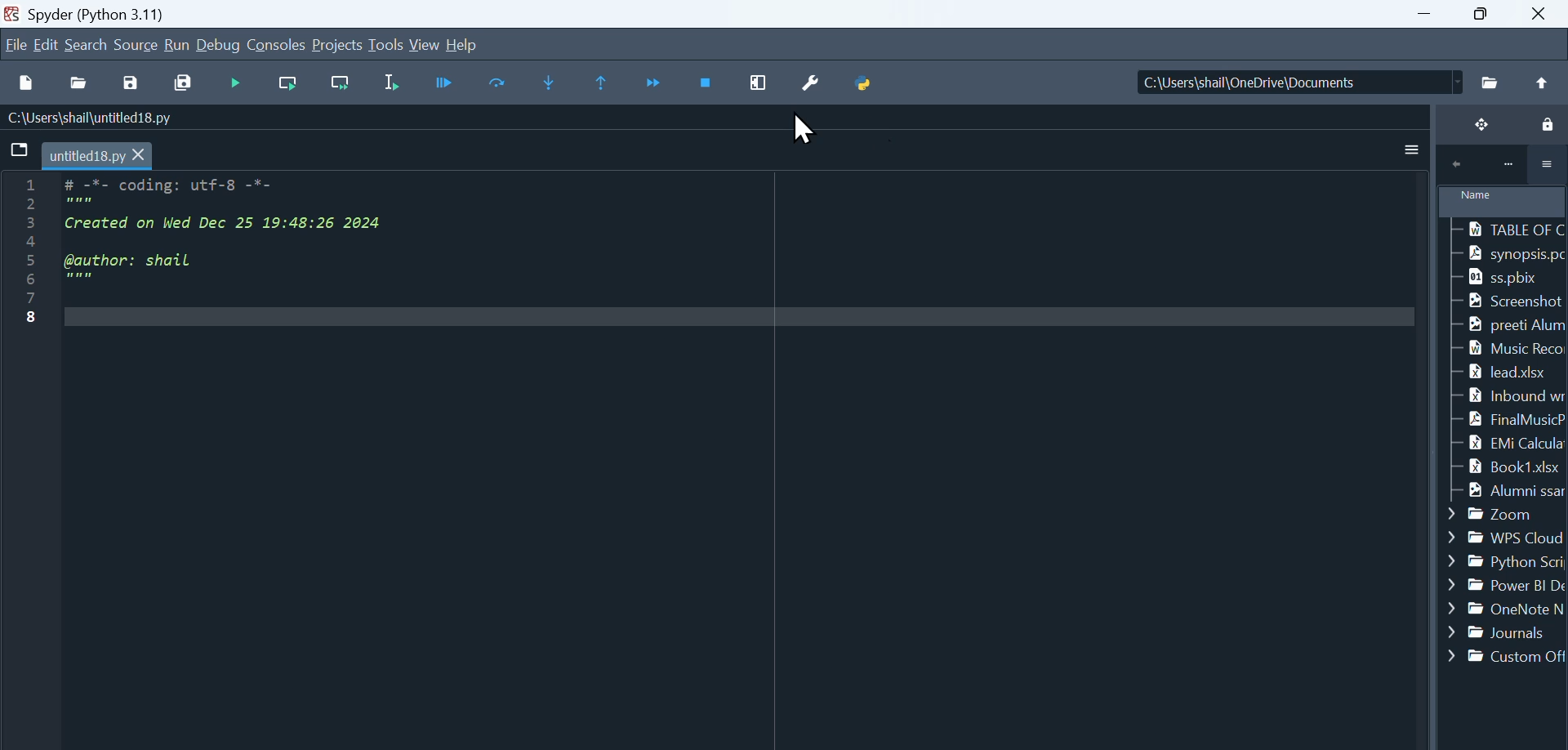  Describe the element at coordinates (1457, 167) in the screenshot. I see `icon ` at that location.